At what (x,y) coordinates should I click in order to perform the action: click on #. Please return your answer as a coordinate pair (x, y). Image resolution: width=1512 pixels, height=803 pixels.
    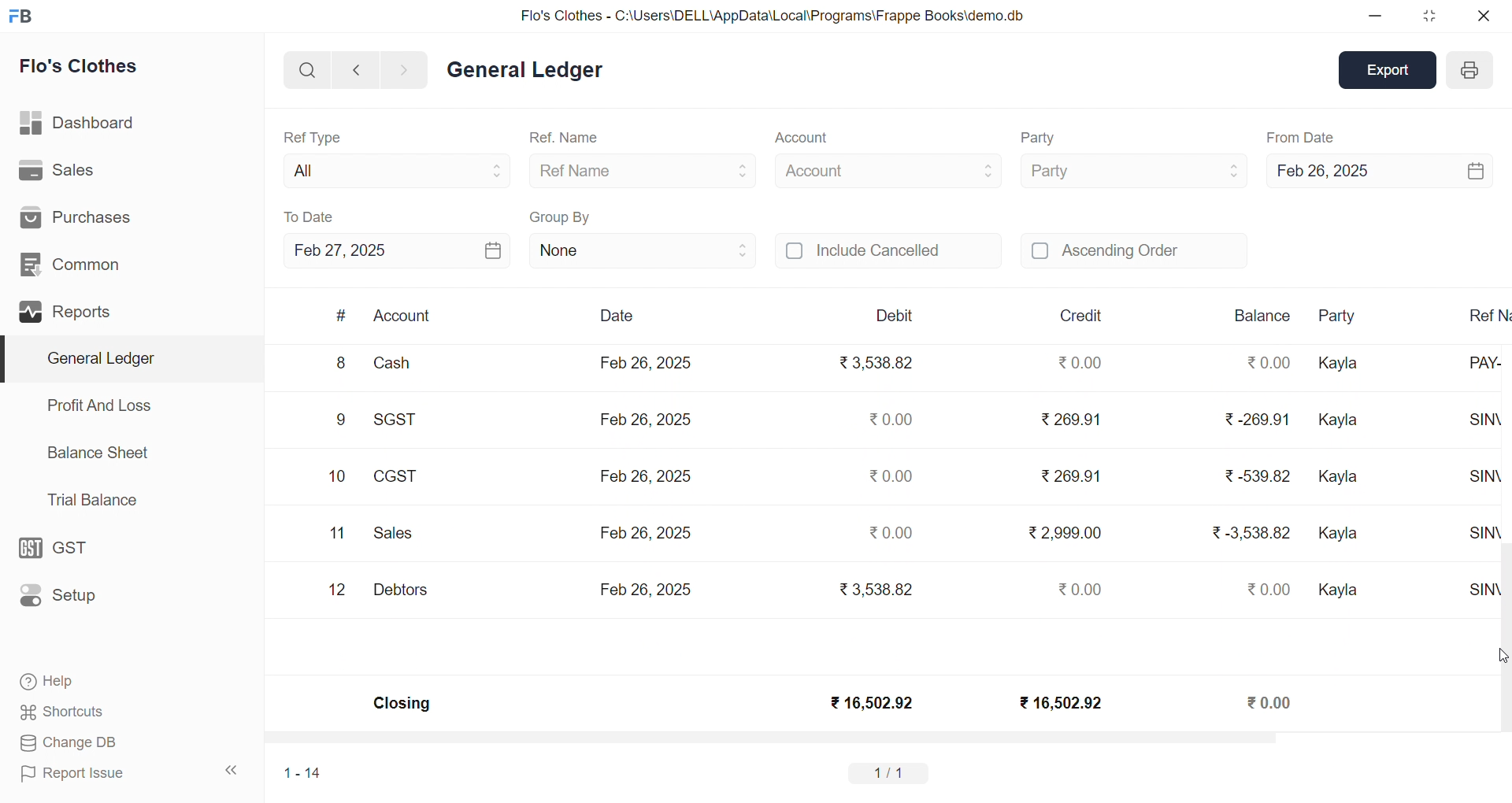
    Looking at the image, I should click on (341, 316).